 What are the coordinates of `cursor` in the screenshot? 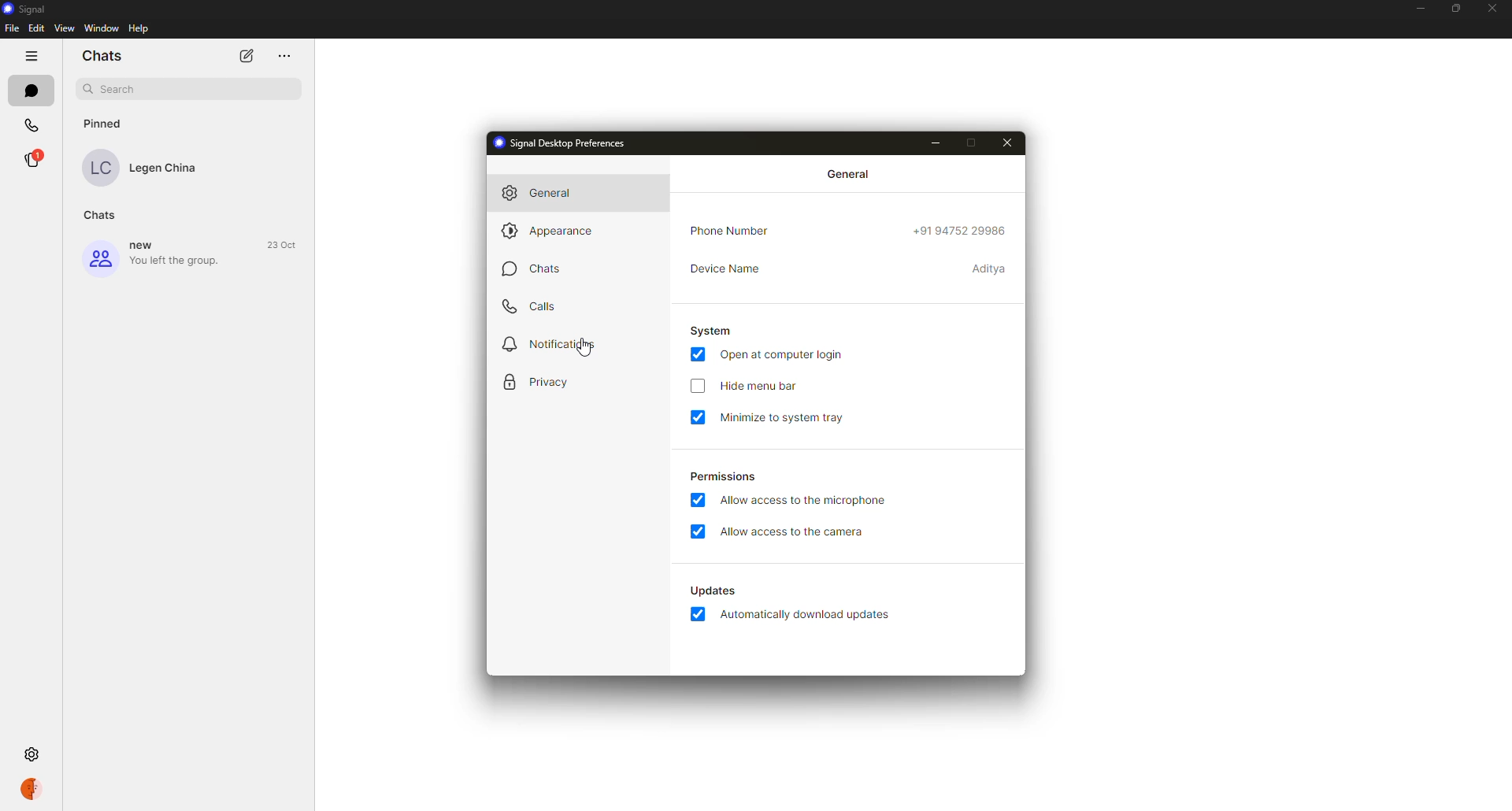 It's located at (584, 346).